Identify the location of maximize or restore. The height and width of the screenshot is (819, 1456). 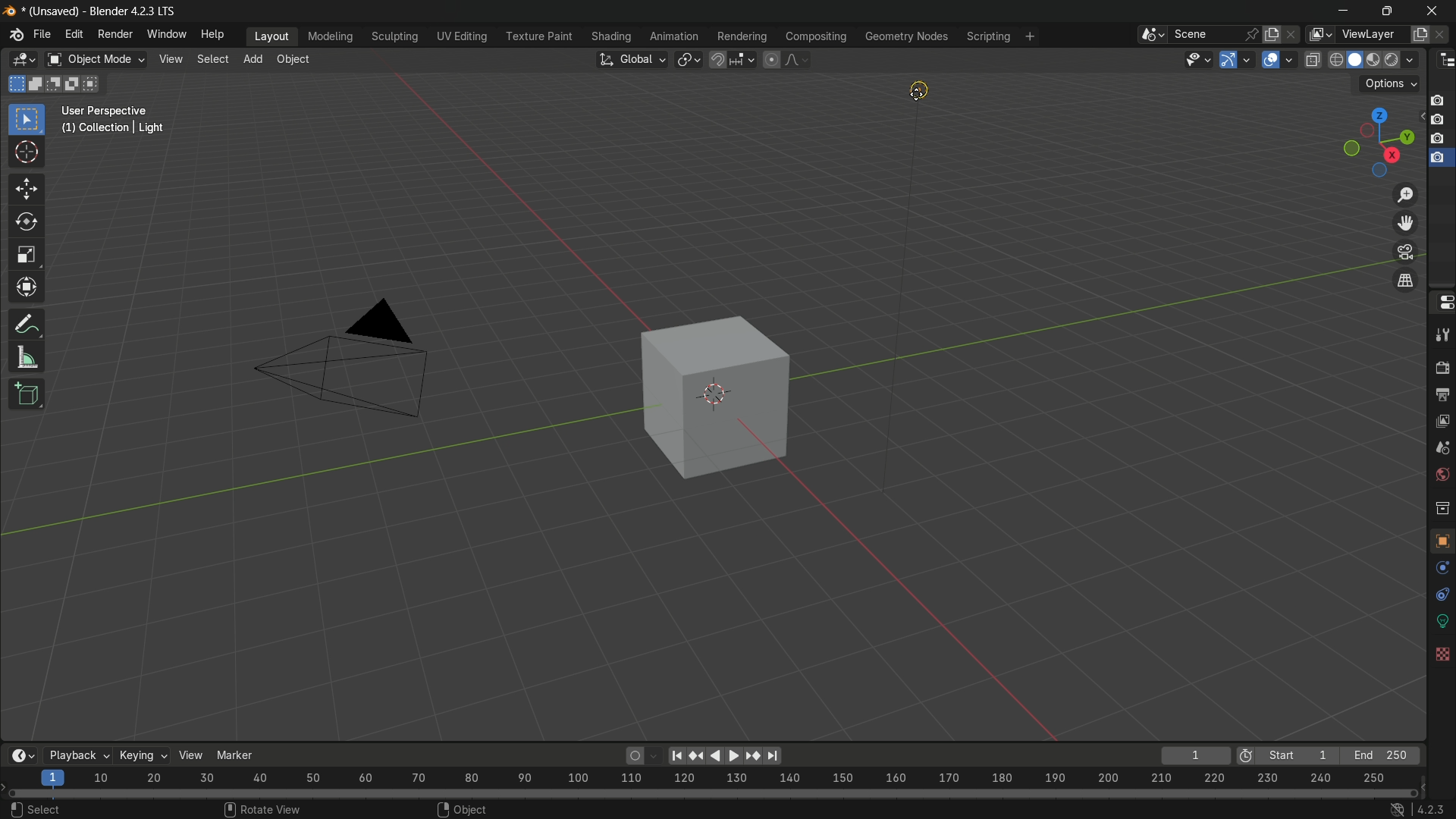
(1386, 11).